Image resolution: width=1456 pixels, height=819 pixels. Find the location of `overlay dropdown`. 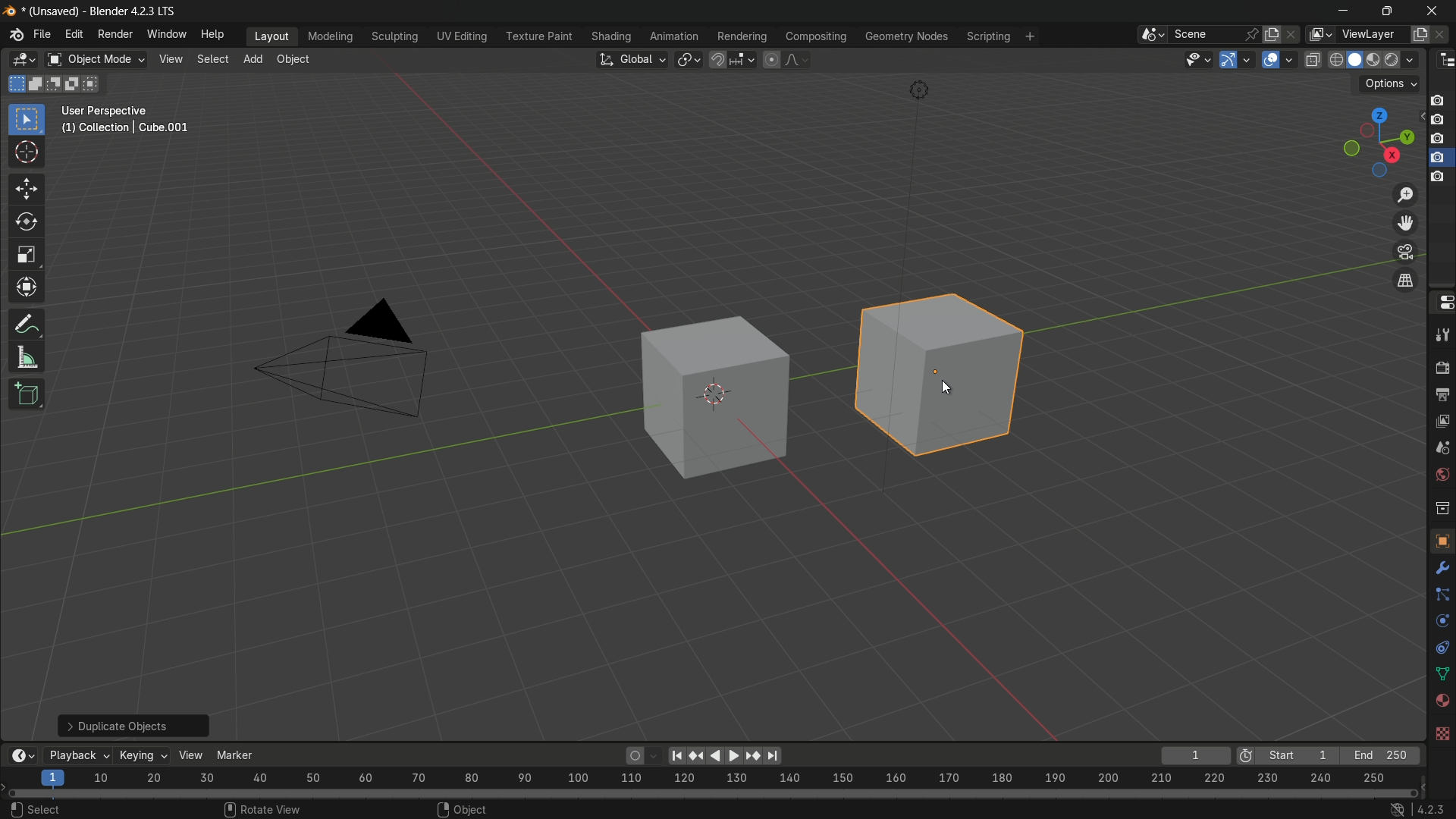

overlay dropdown is located at coordinates (1292, 59).